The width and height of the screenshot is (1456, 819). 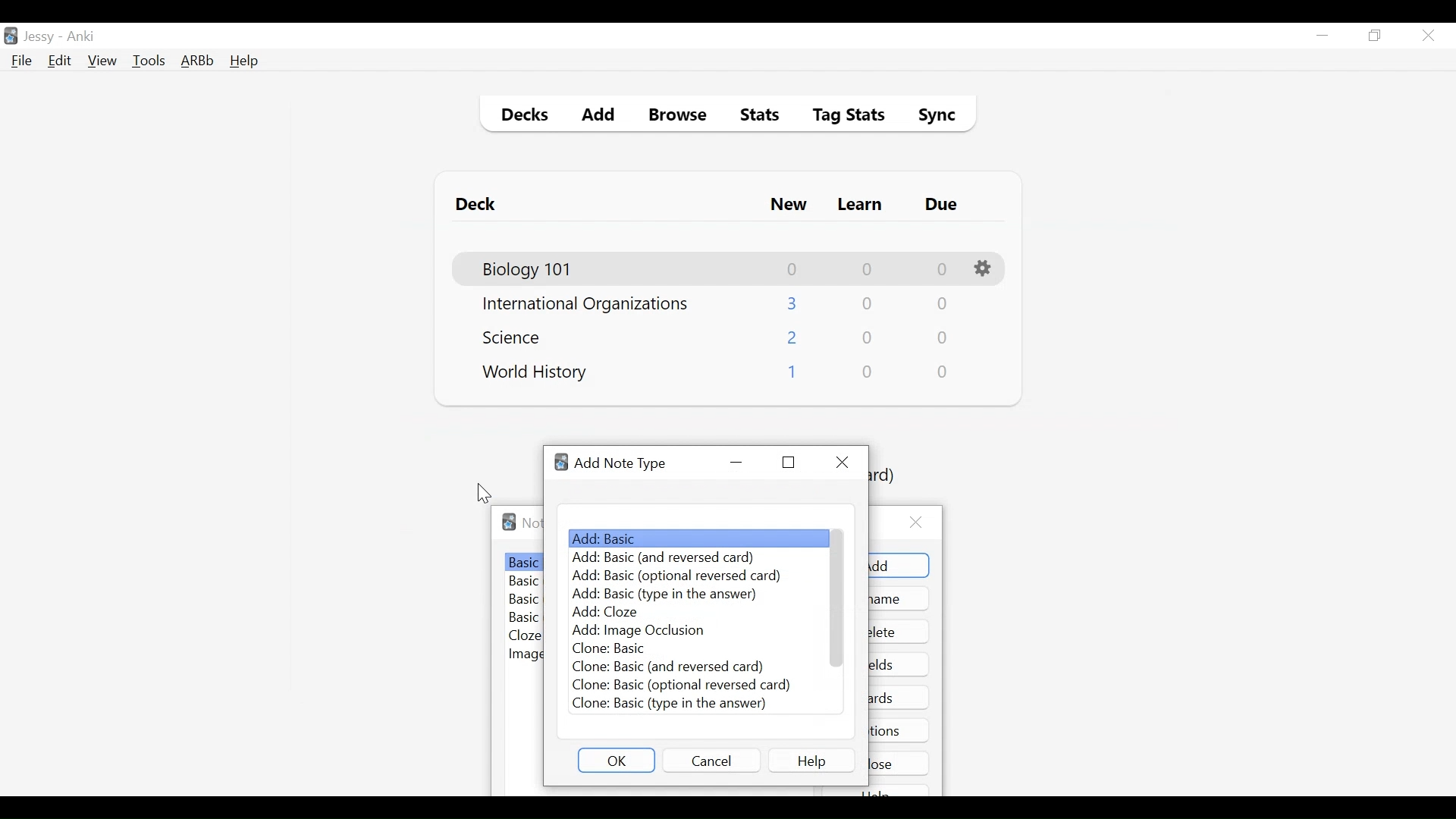 What do you see at coordinates (509, 522) in the screenshot?
I see `Software logo` at bounding box center [509, 522].